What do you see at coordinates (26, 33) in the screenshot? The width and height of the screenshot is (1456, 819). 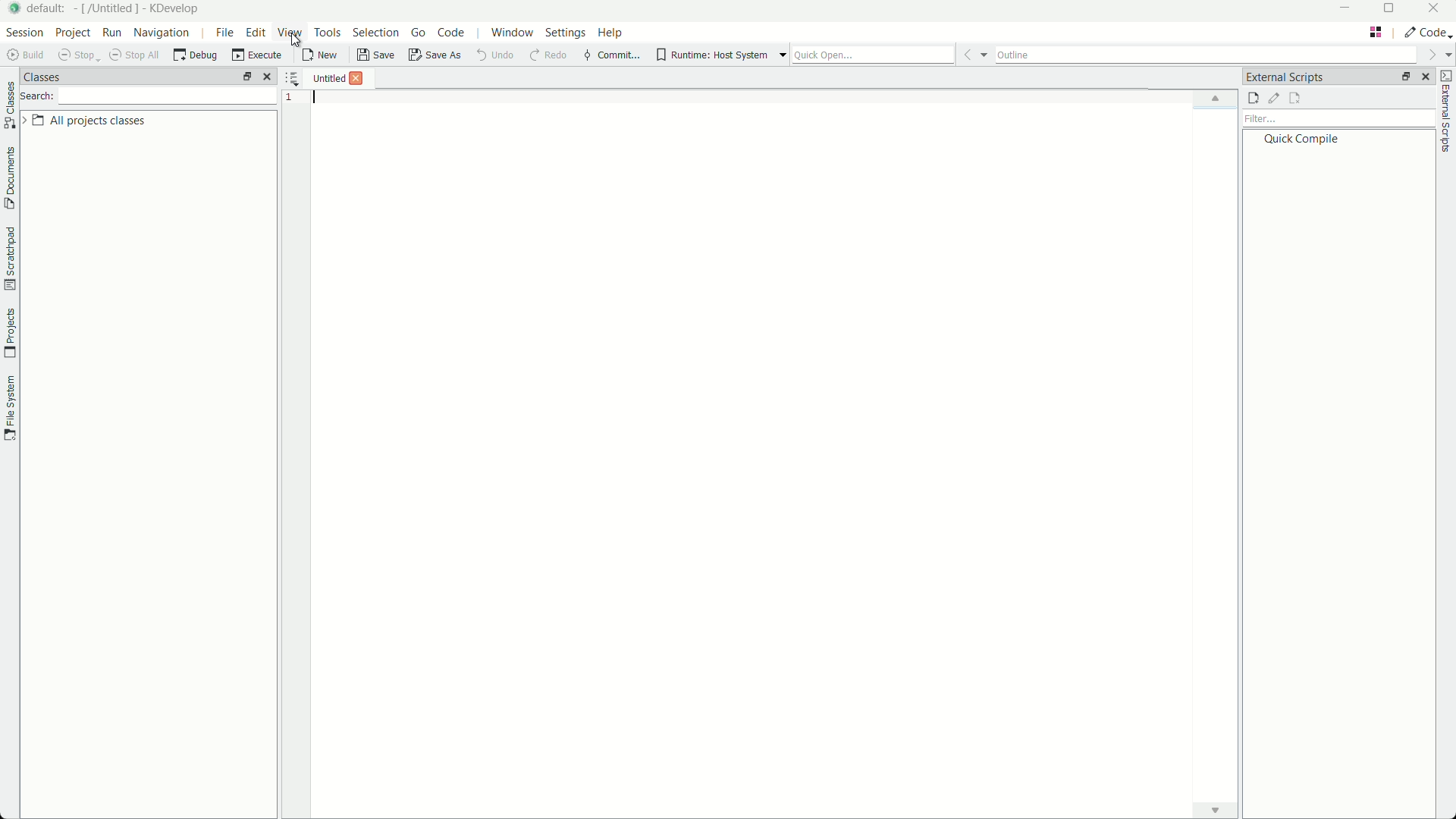 I see `session menu` at bounding box center [26, 33].